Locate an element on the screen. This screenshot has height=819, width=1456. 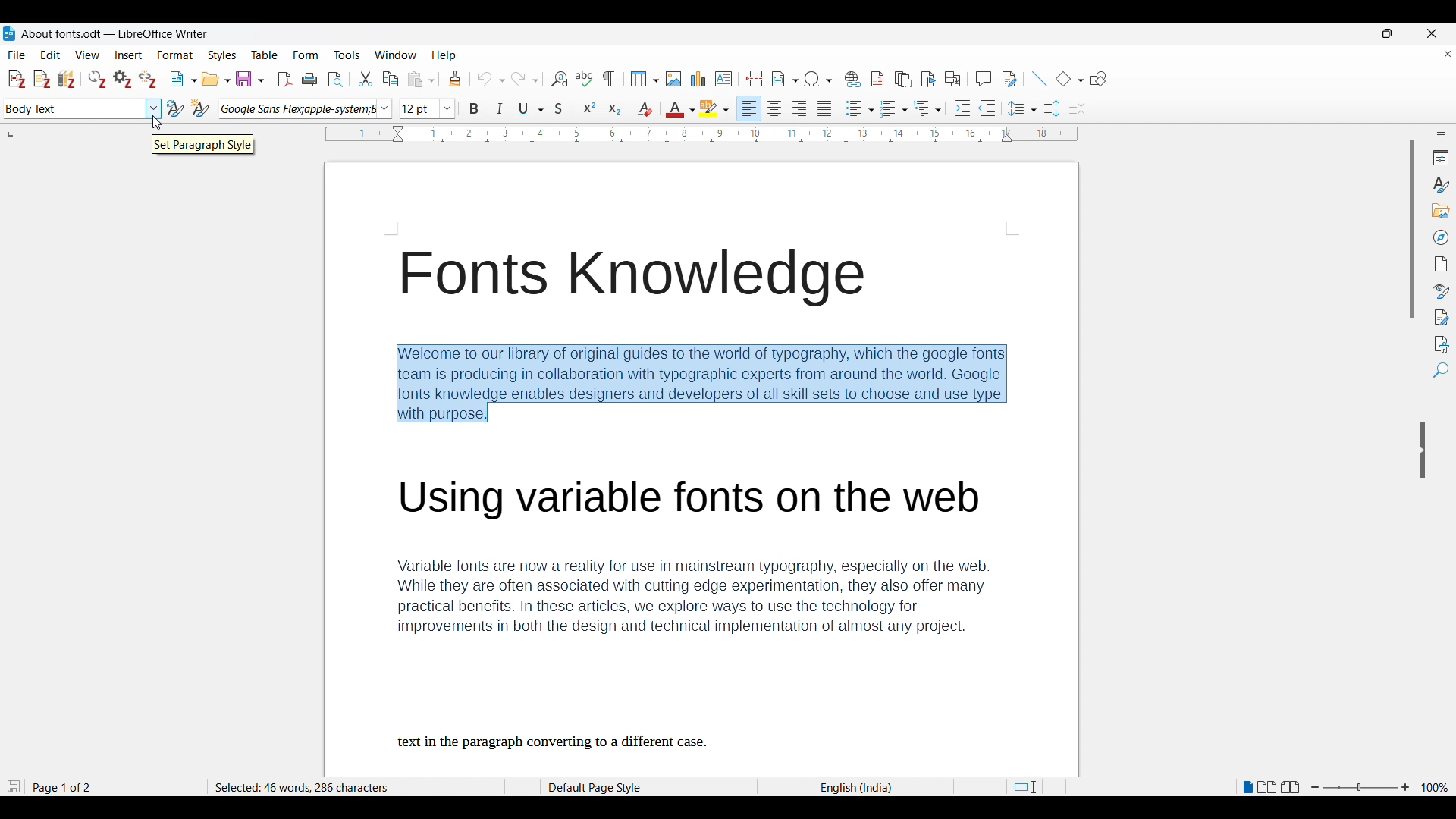
Show track change functions is located at coordinates (1010, 80).